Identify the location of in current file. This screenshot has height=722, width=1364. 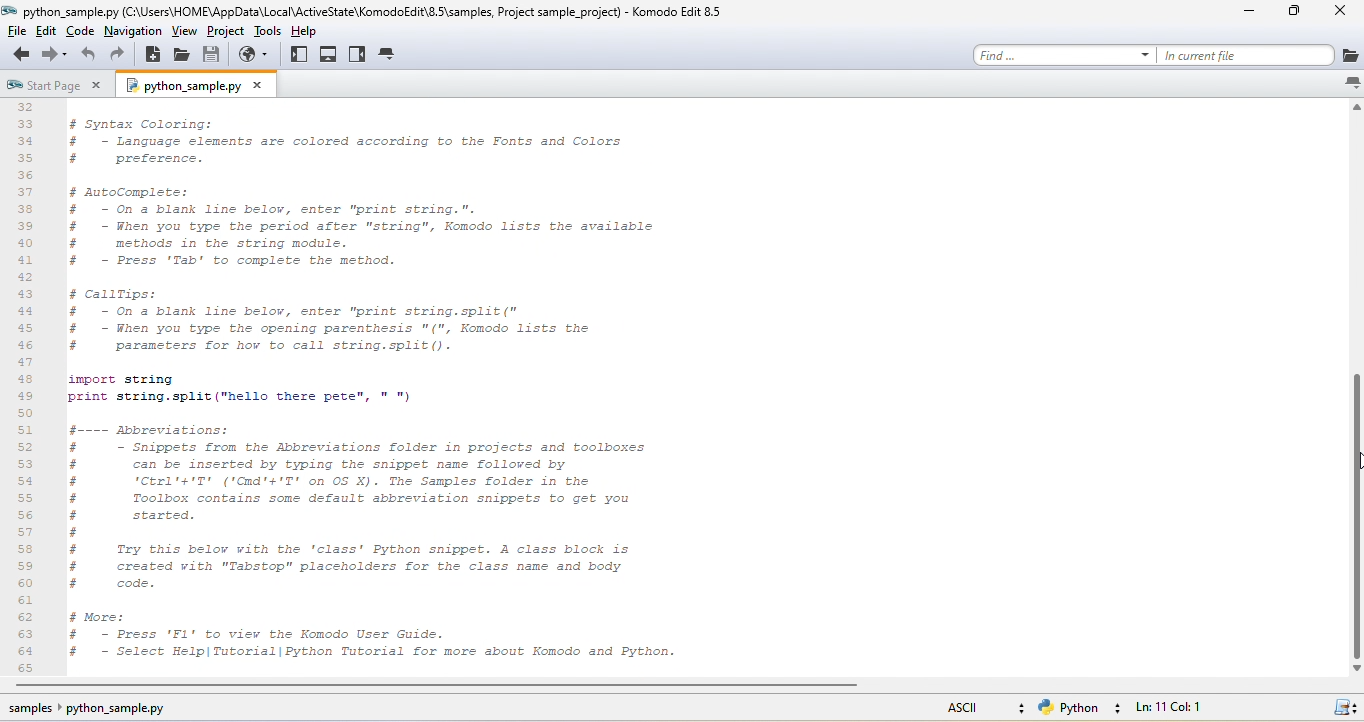
(1267, 55).